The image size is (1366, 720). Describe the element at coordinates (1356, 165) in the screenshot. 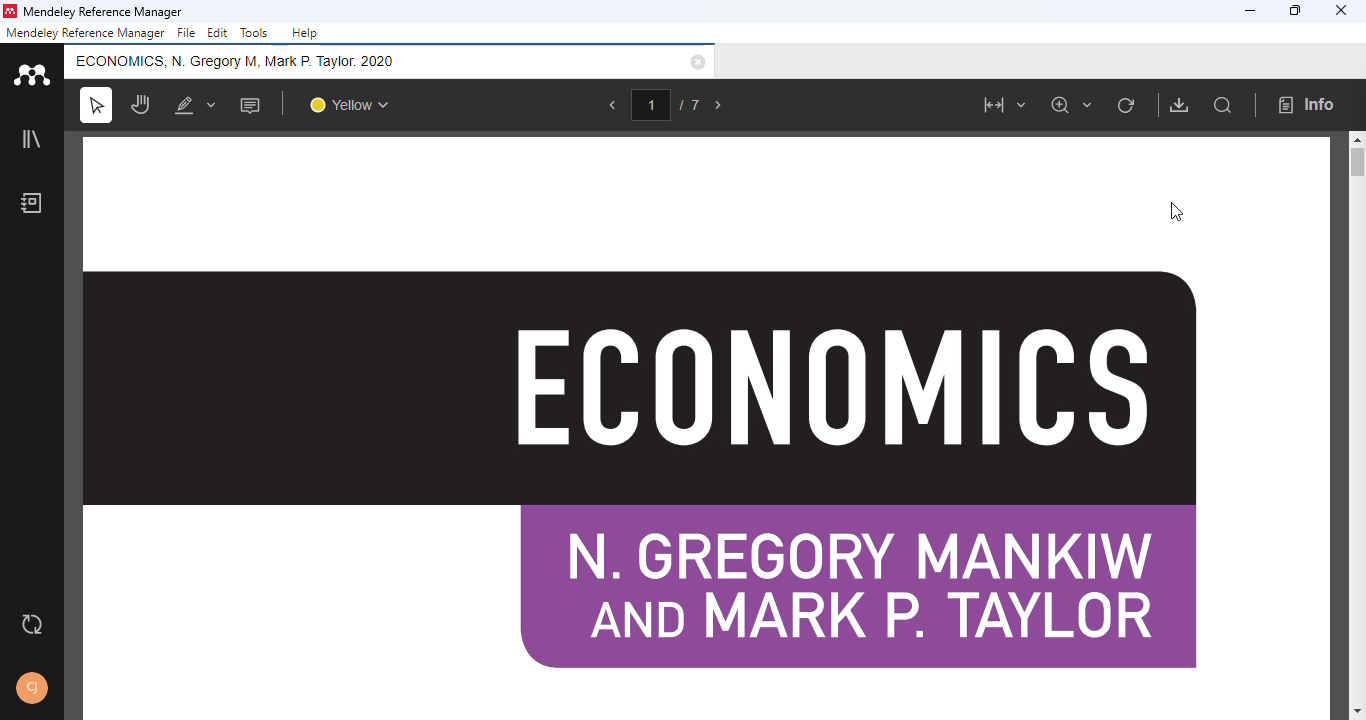

I see `vertical scroll bar` at that location.